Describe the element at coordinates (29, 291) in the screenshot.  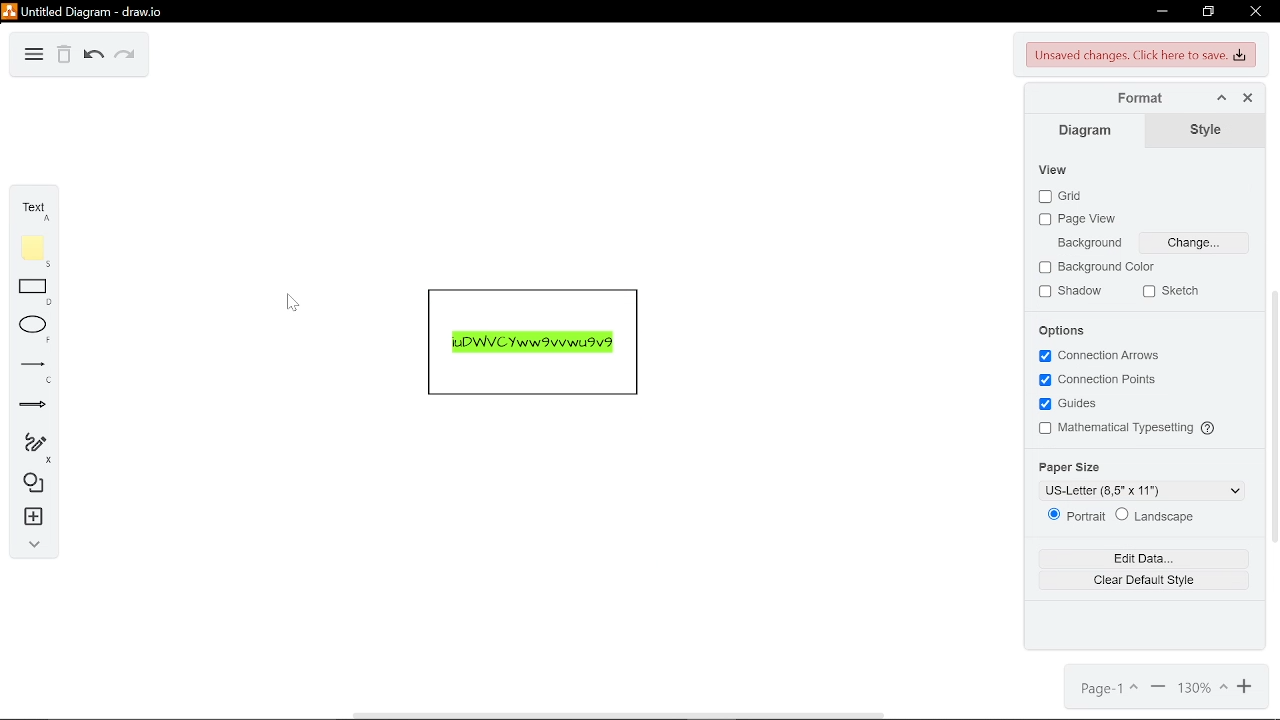
I see `rectangle` at that location.